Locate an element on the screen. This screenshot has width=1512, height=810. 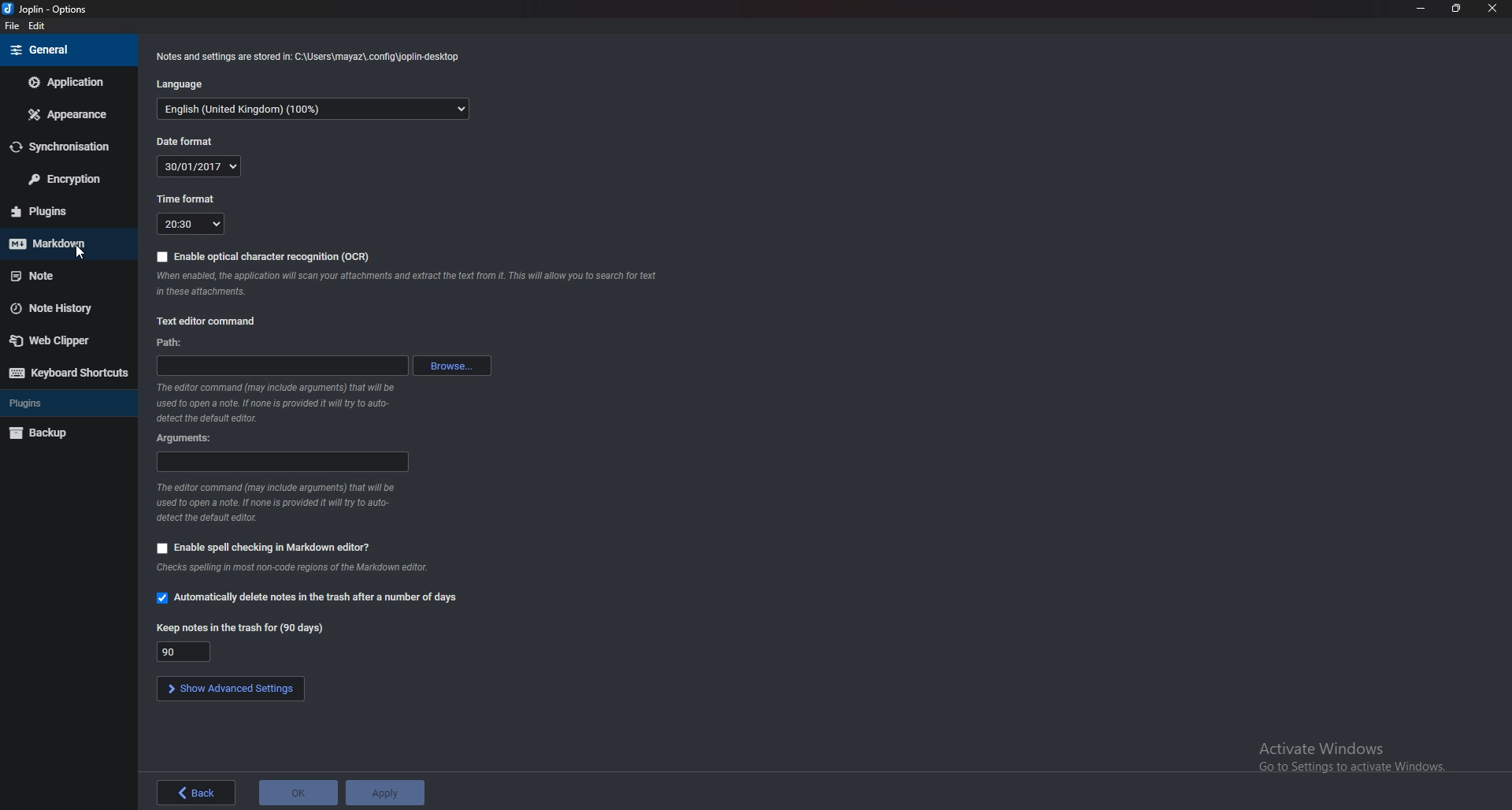
editor command info is located at coordinates (281, 503).